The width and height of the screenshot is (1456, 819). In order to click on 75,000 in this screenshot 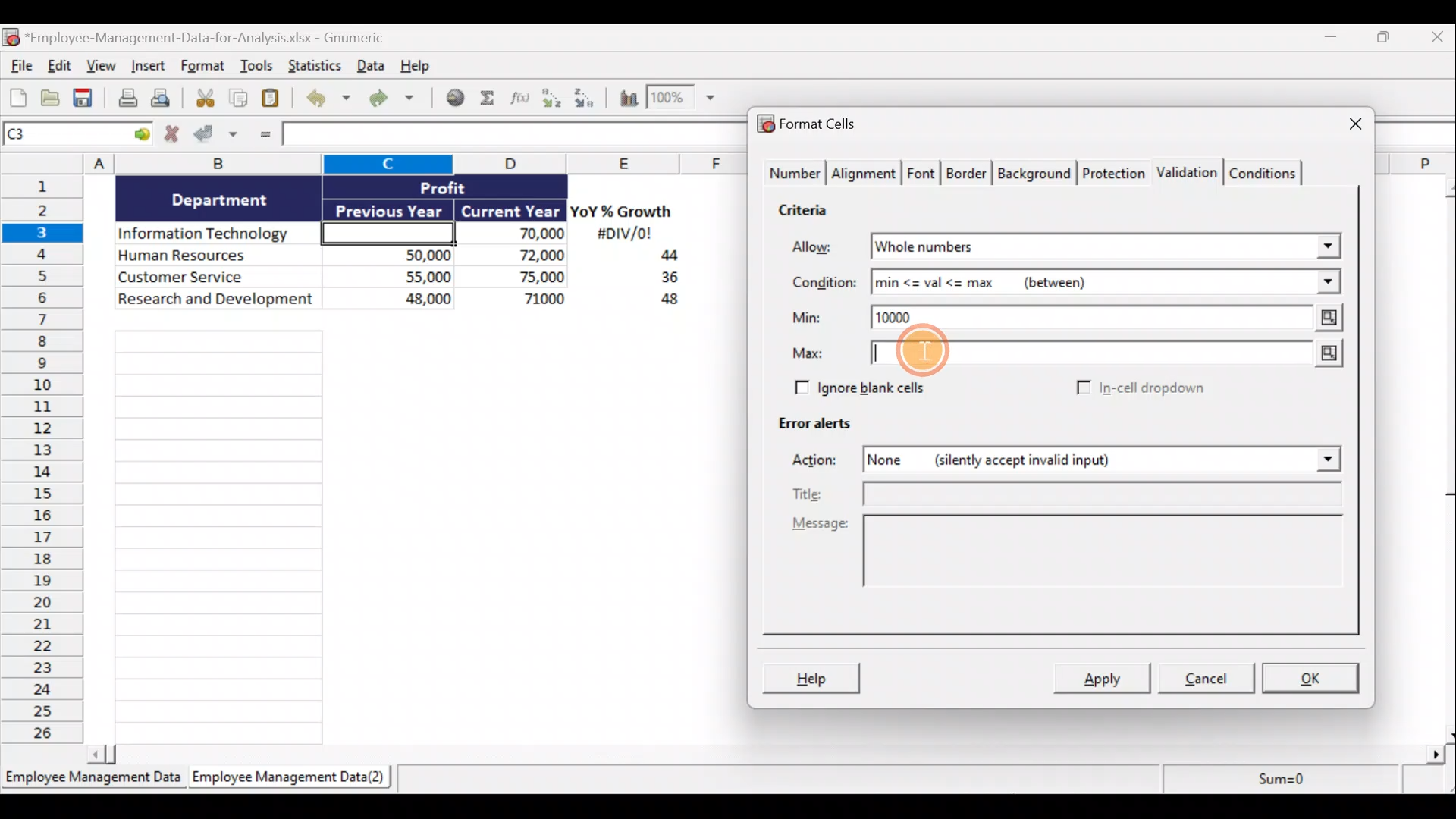, I will do `click(519, 278)`.